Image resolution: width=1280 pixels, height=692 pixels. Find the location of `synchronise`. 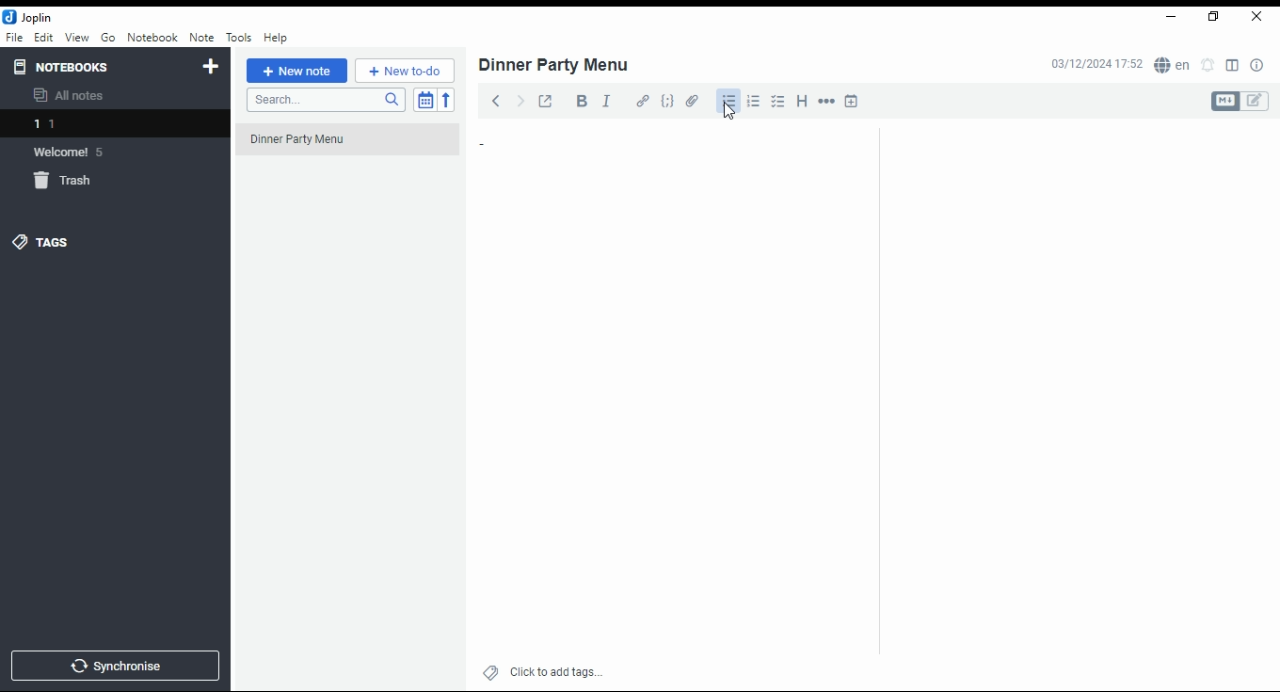

synchronise is located at coordinates (115, 666).